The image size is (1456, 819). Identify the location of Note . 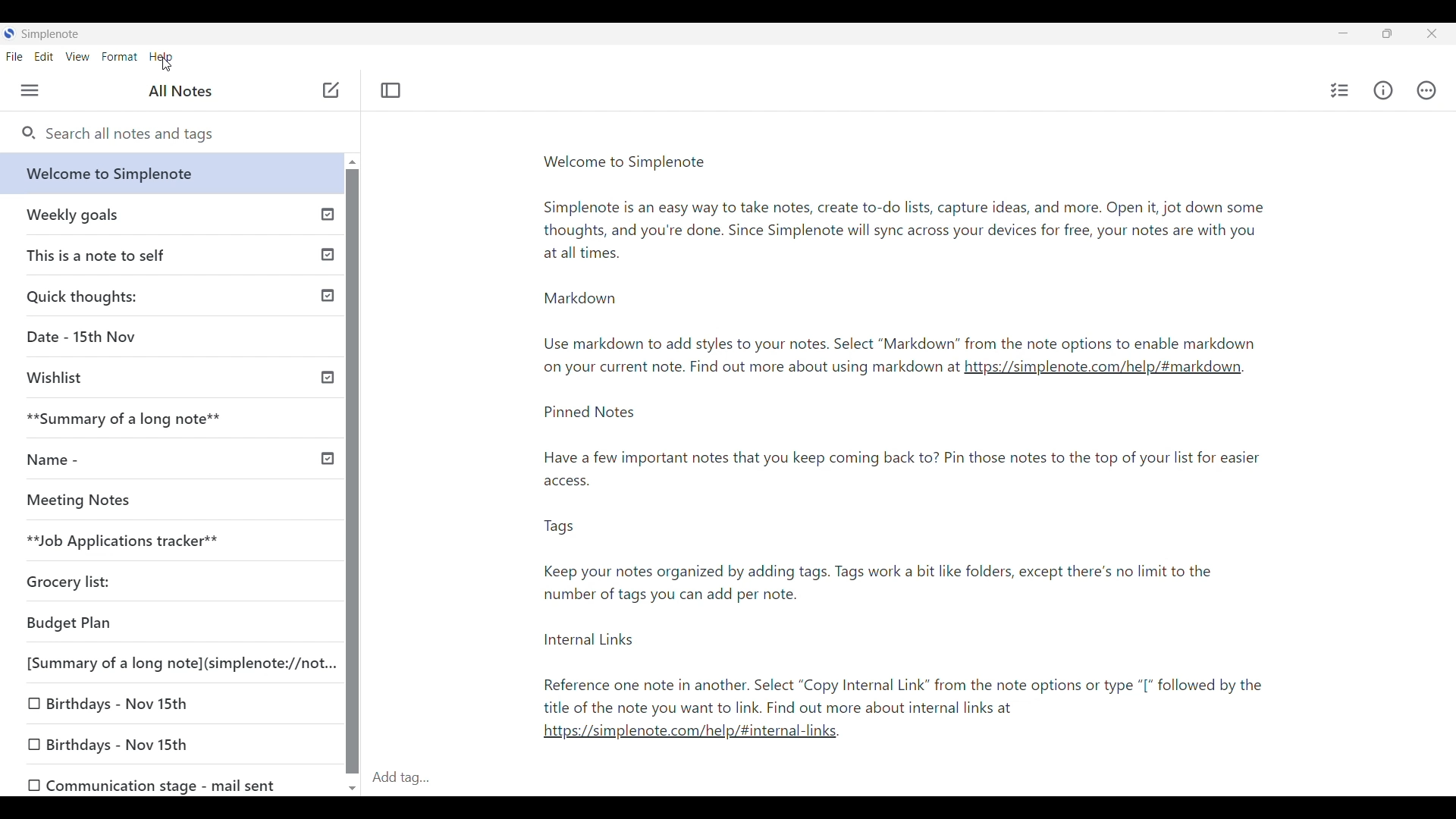
(746, 369).